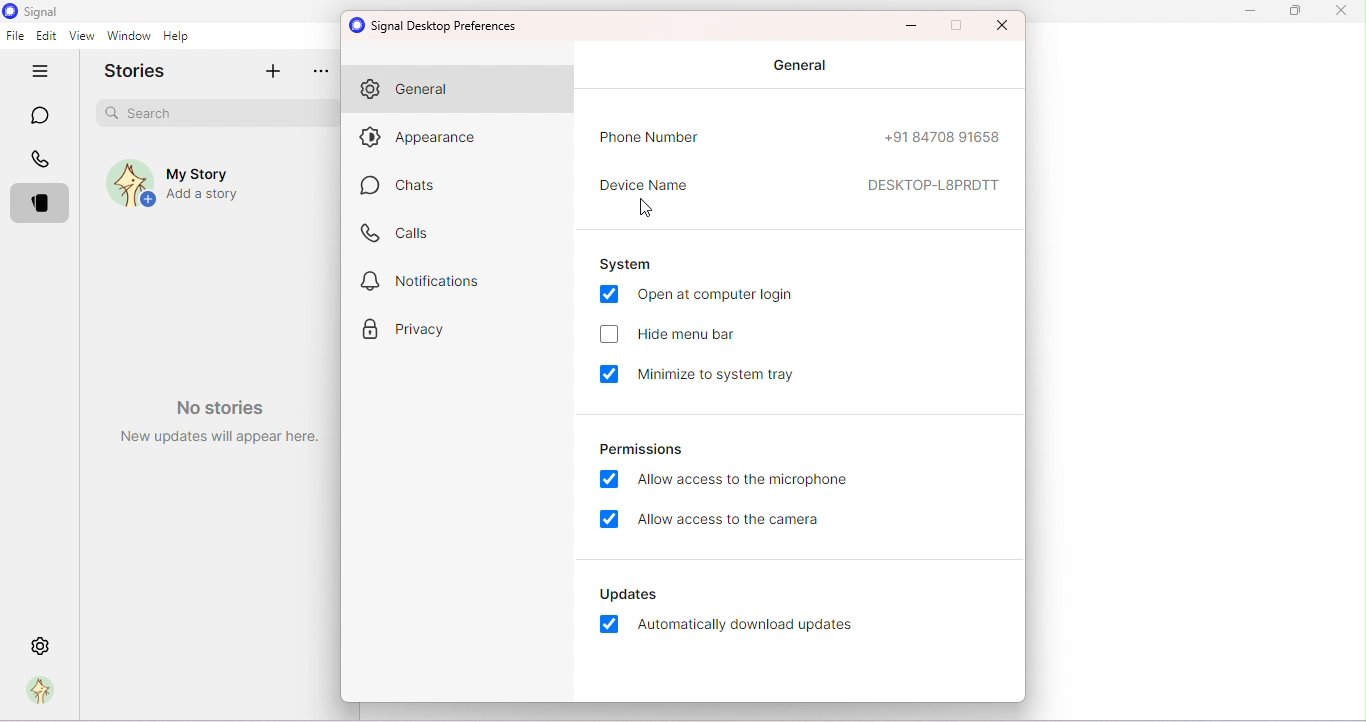 The width and height of the screenshot is (1366, 722). What do you see at coordinates (324, 70) in the screenshot?
I see `more options` at bounding box center [324, 70].